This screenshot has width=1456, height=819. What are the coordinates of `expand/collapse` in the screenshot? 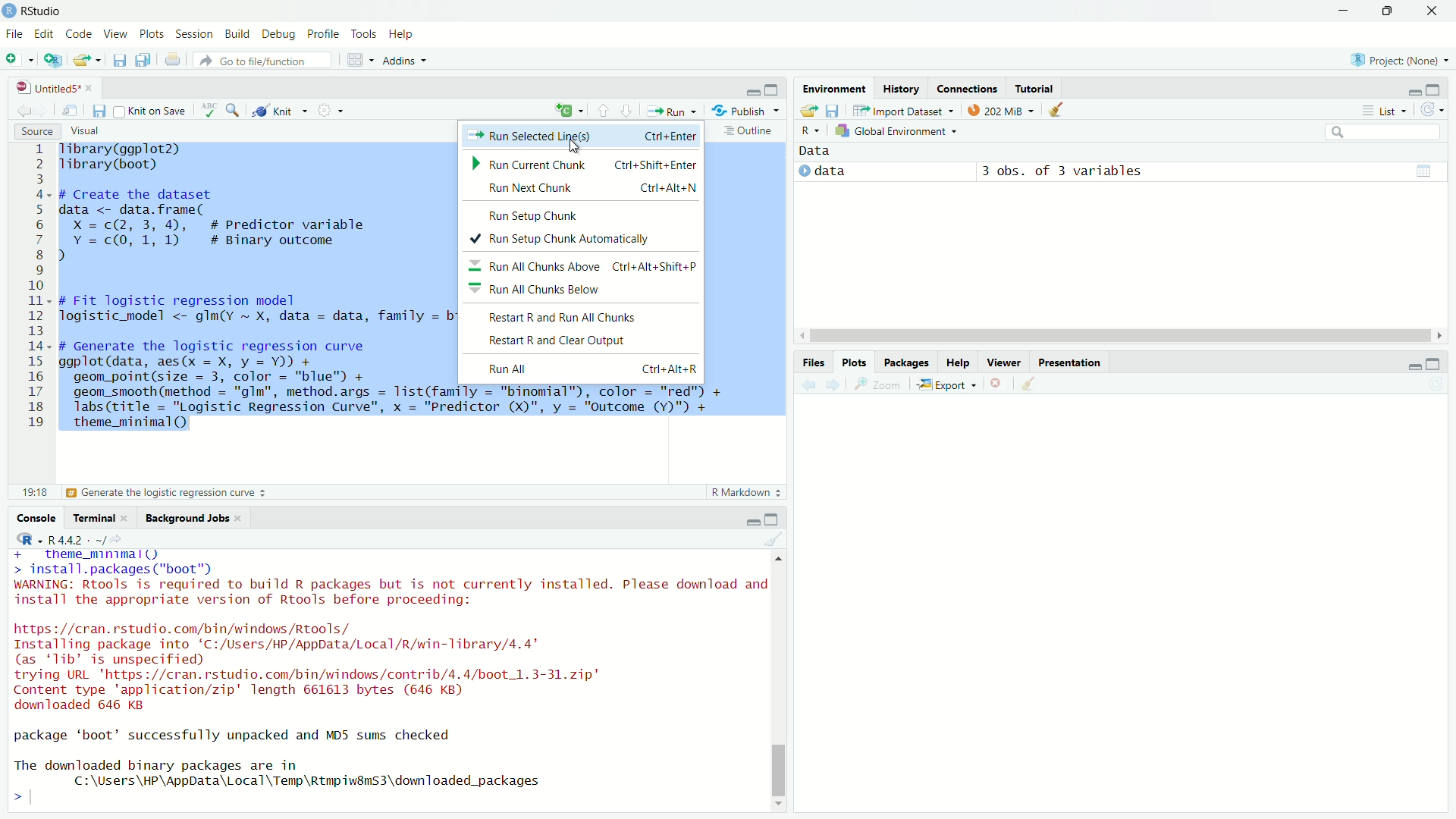 It's located at (803, 171).